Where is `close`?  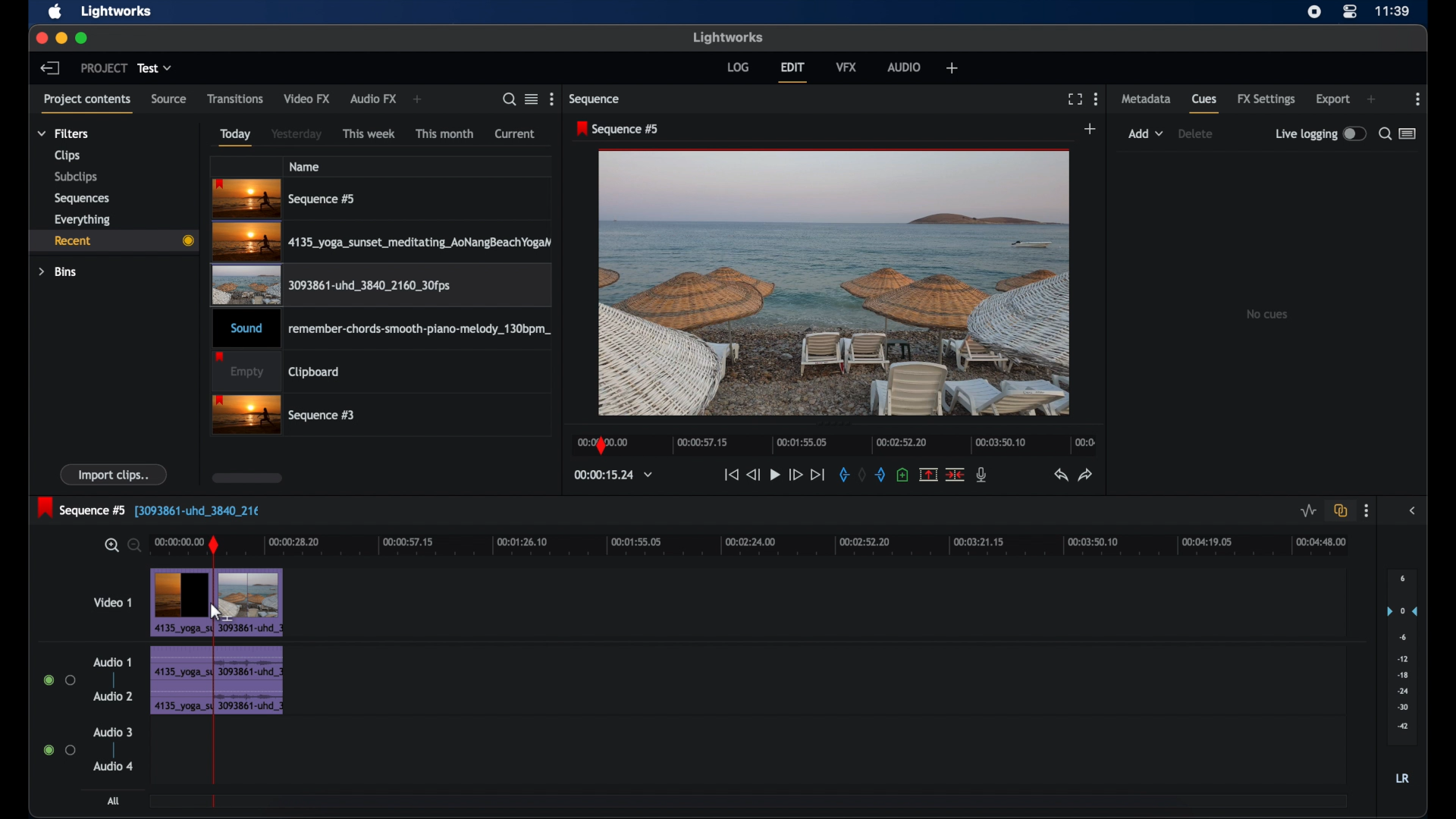 close is located at coordinates (41, 38).